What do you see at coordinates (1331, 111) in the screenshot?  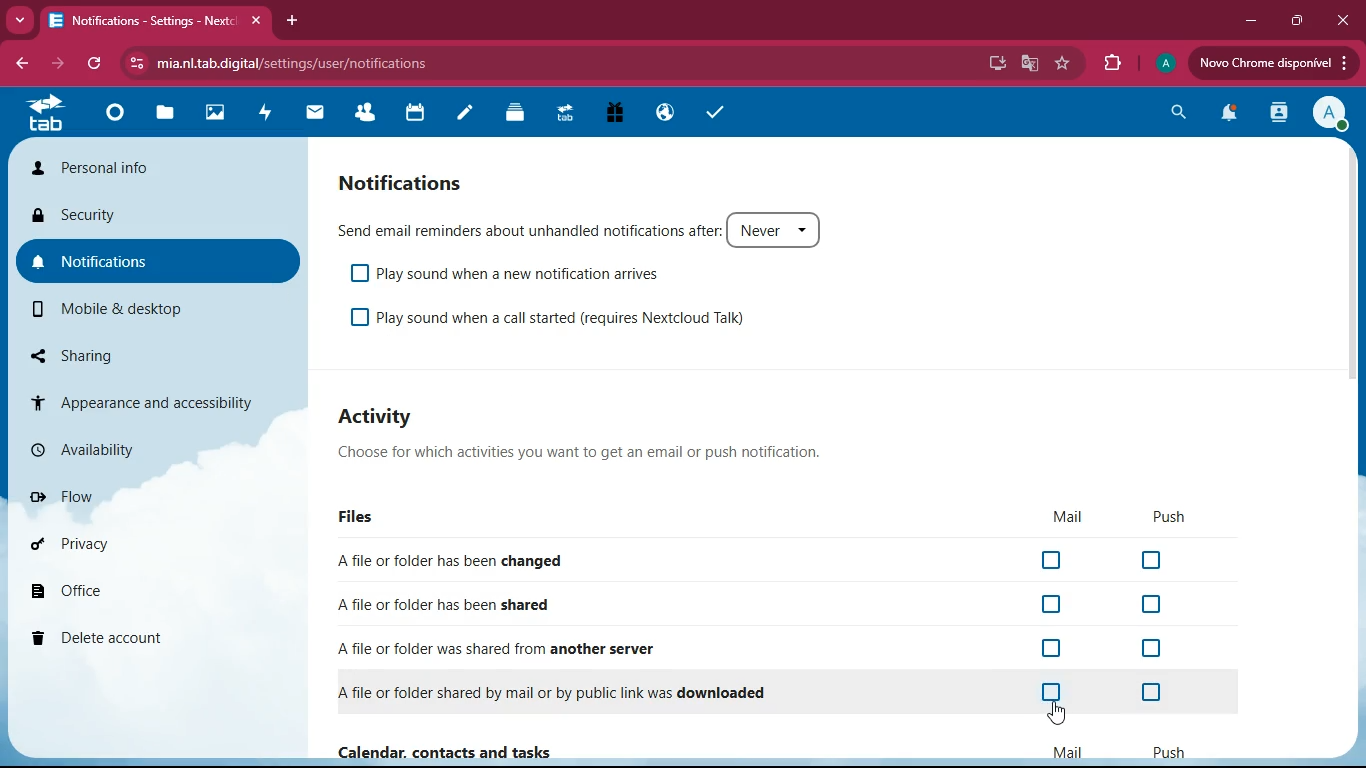 I see `profile` at bounding box center [1331, 111].